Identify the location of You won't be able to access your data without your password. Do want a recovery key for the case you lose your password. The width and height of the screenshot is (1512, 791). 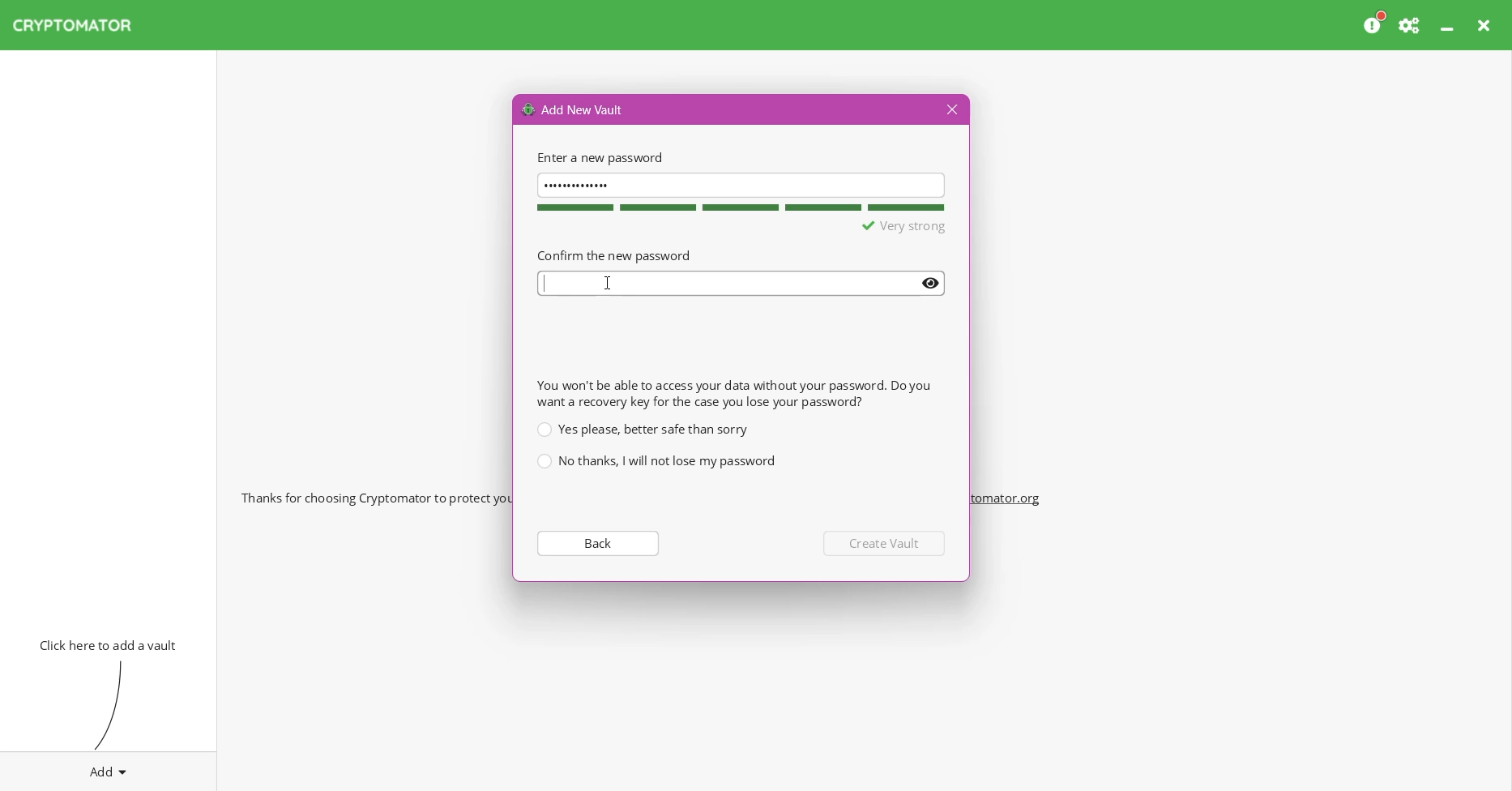
(733, 393).